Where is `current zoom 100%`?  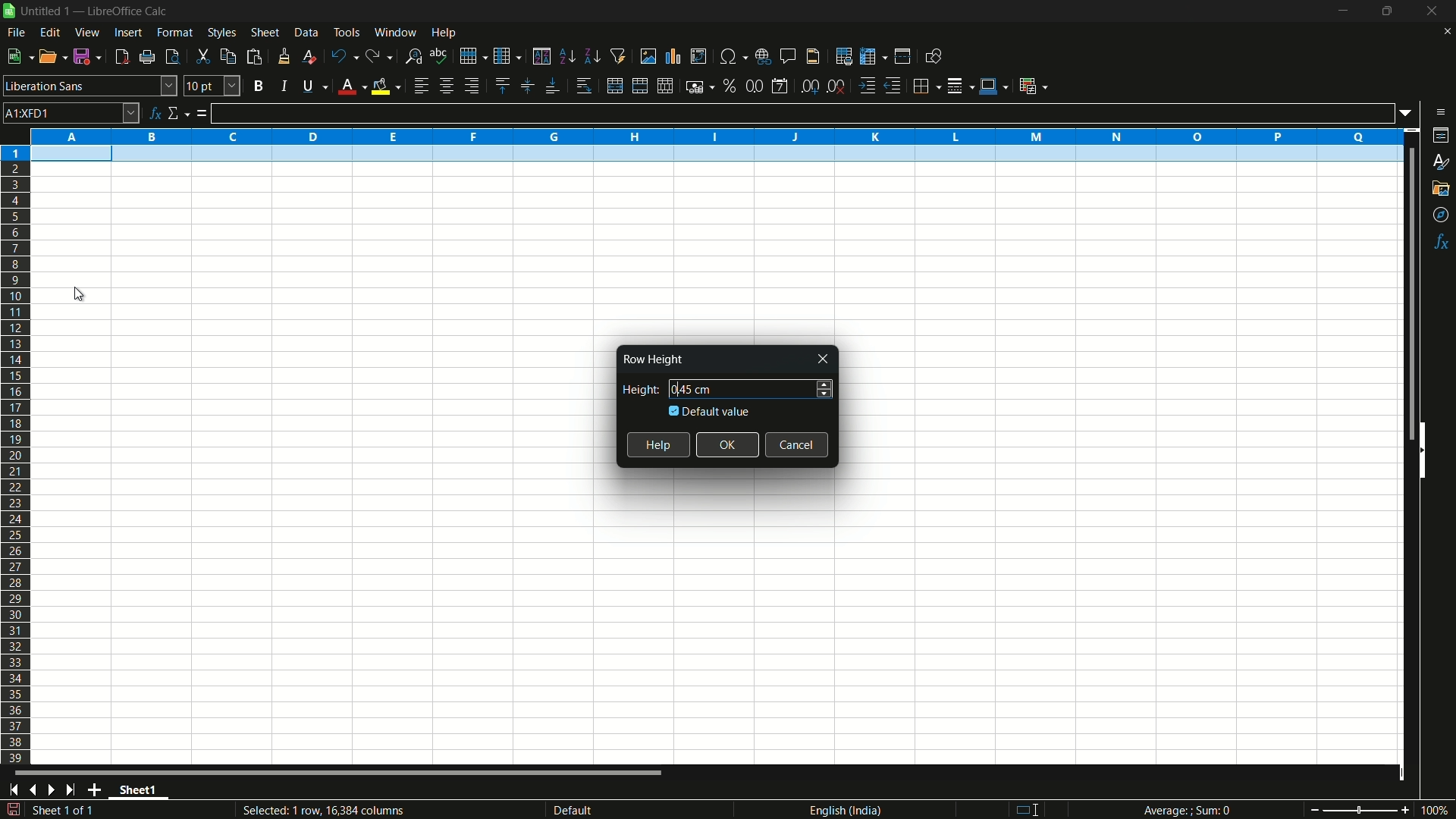
current zoom 100% is located at coordinates (1437, 810).